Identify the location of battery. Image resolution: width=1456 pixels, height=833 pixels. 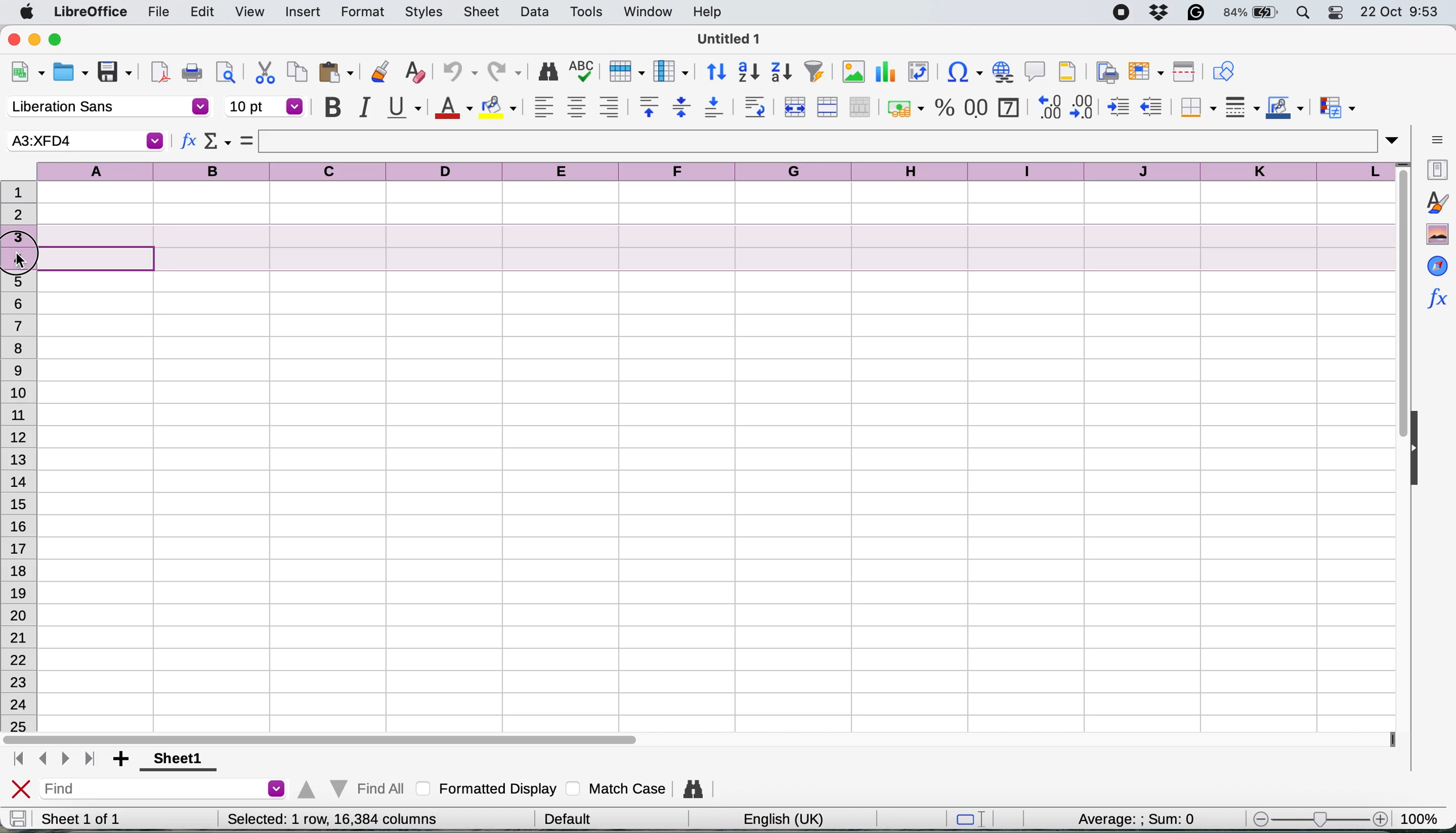
(1252, 13).